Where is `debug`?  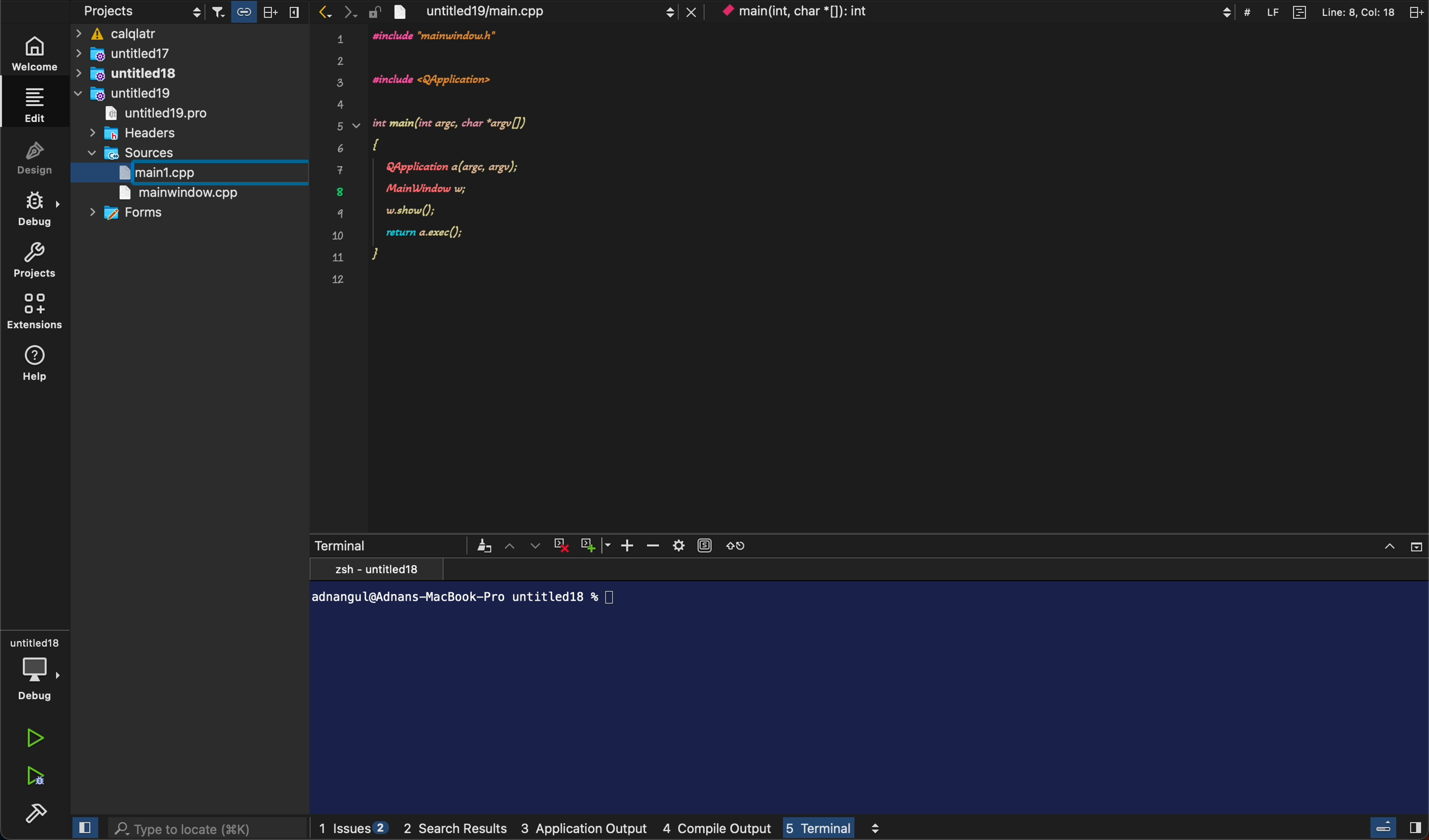
debug is located at coordinates (43, 210).